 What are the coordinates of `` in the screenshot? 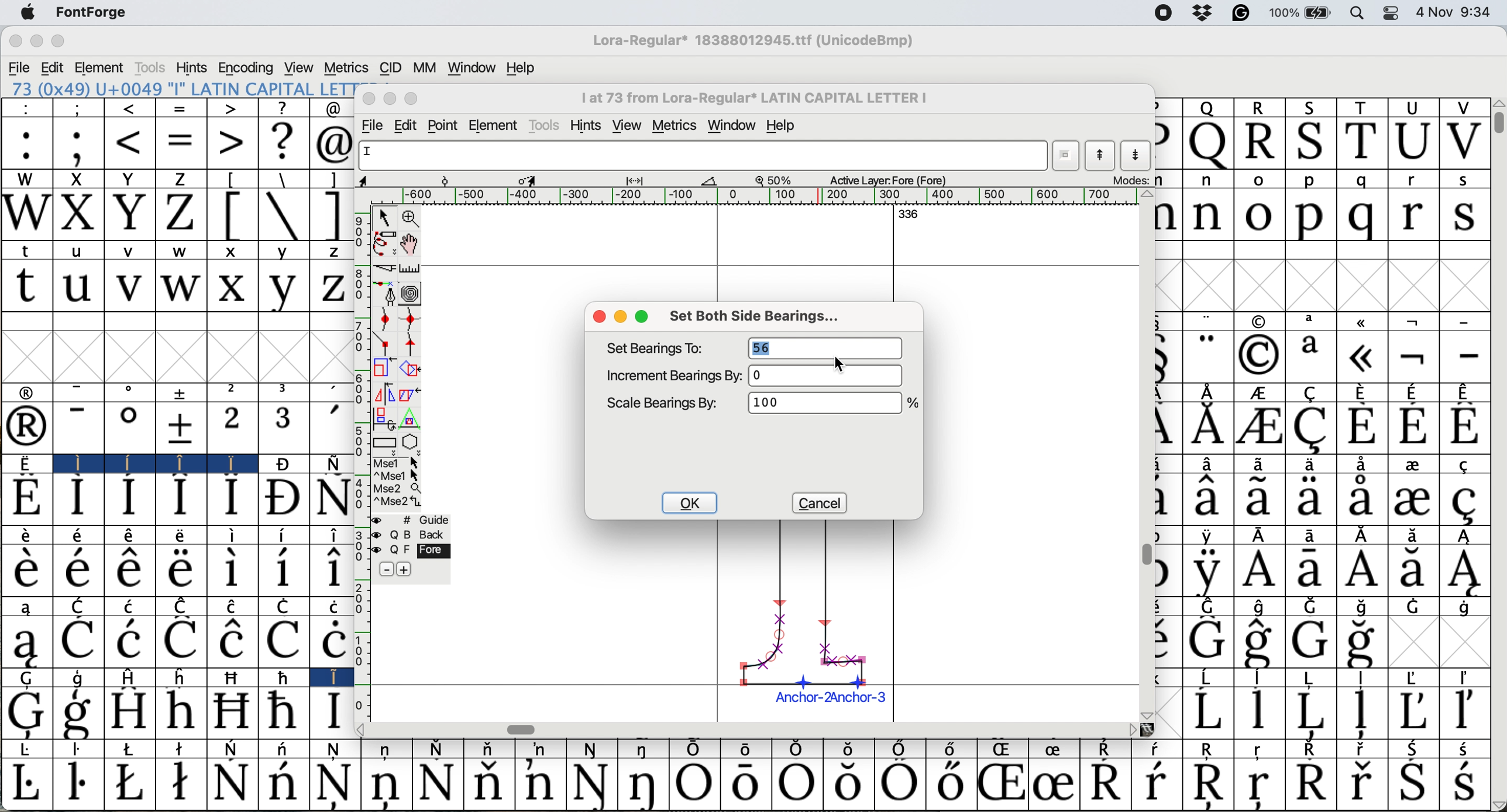 It's located at (378, 532).